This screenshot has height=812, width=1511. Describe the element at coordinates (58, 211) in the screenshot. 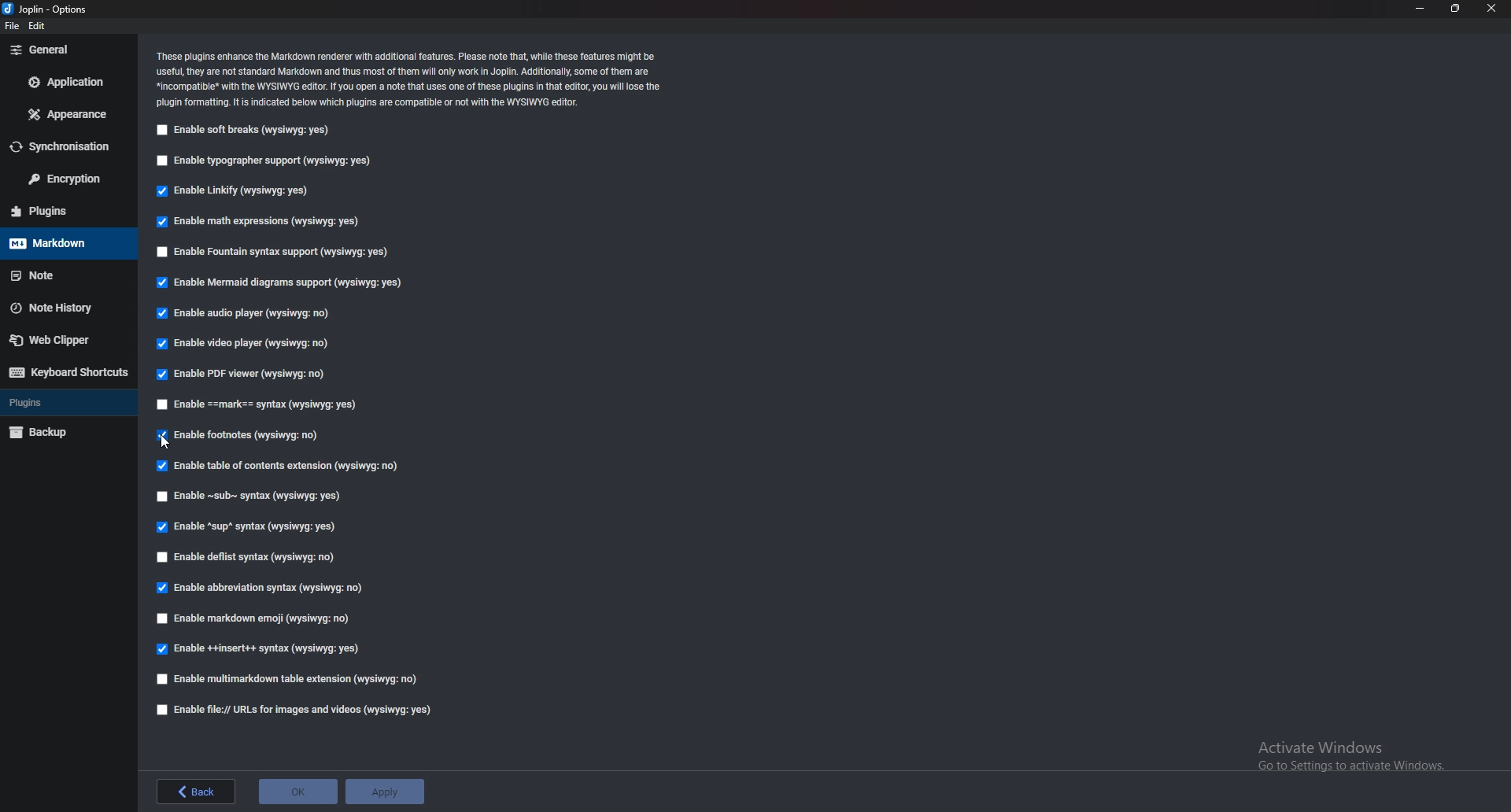

I see `Plugins` at that location.